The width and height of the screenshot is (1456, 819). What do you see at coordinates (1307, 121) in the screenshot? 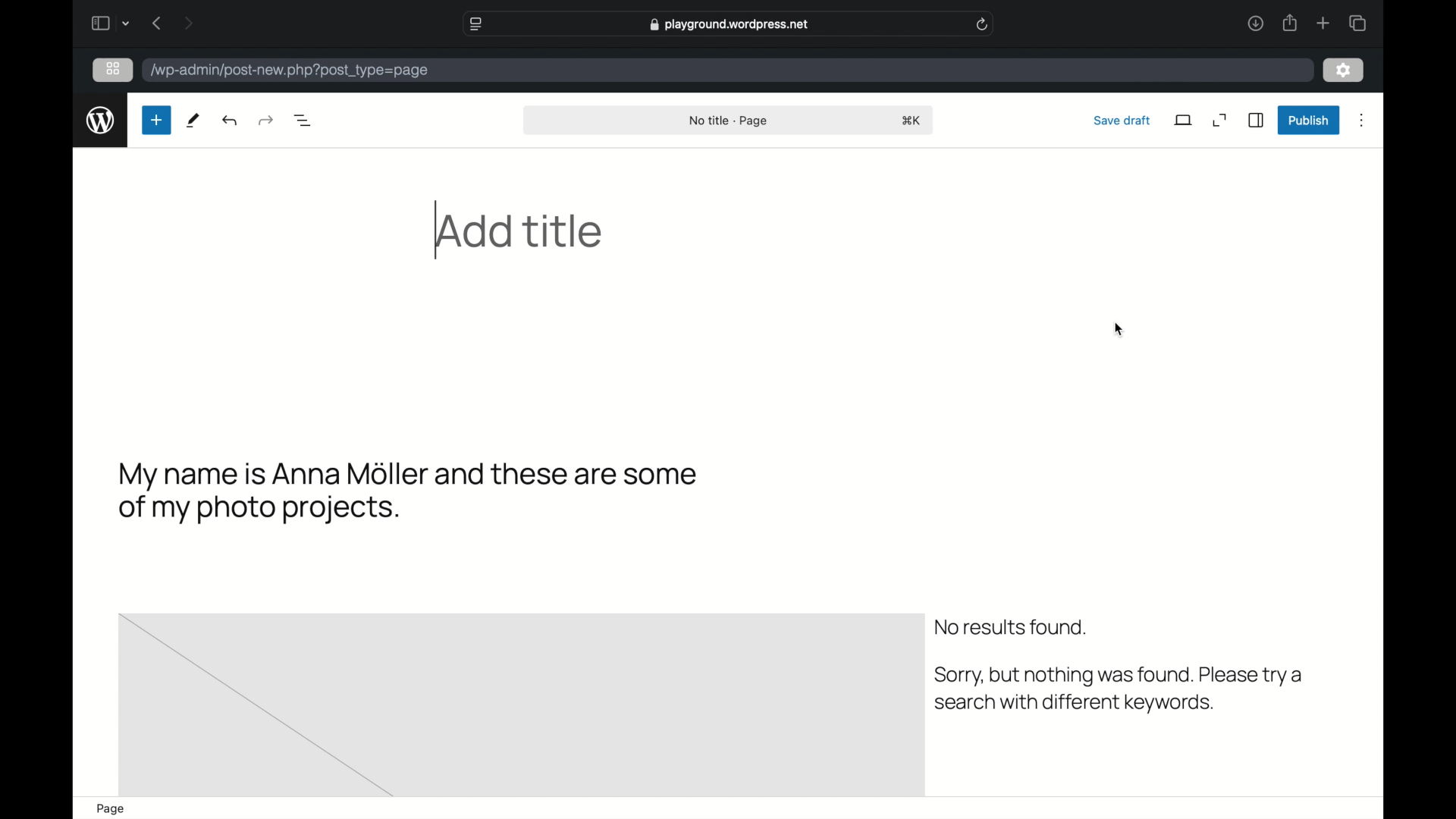
I see `publish` at bounding box center [1307, 121].